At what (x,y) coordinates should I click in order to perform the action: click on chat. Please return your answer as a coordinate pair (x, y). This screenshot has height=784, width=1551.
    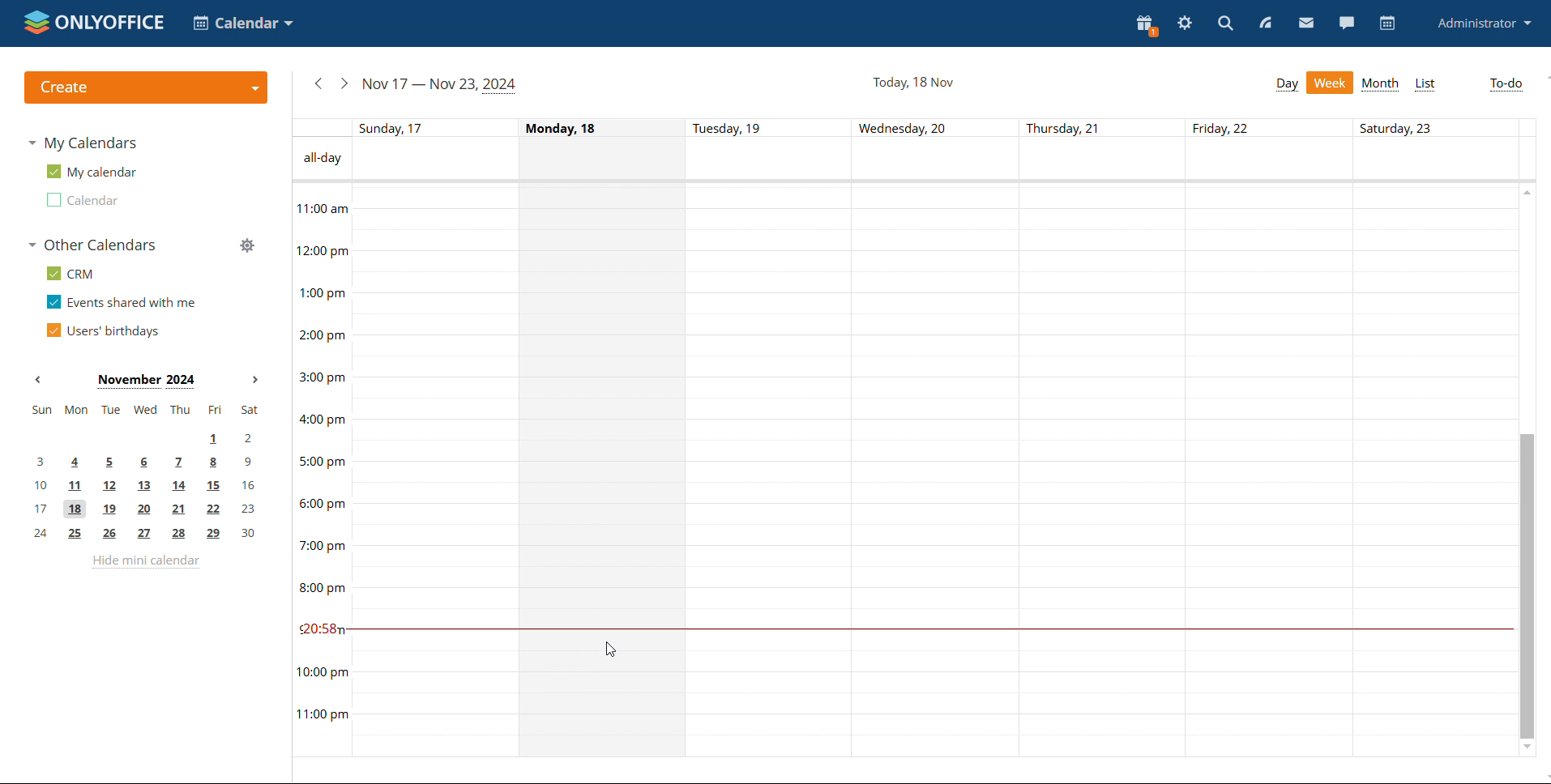
    Looking at the image, I should click on (1347, 23).